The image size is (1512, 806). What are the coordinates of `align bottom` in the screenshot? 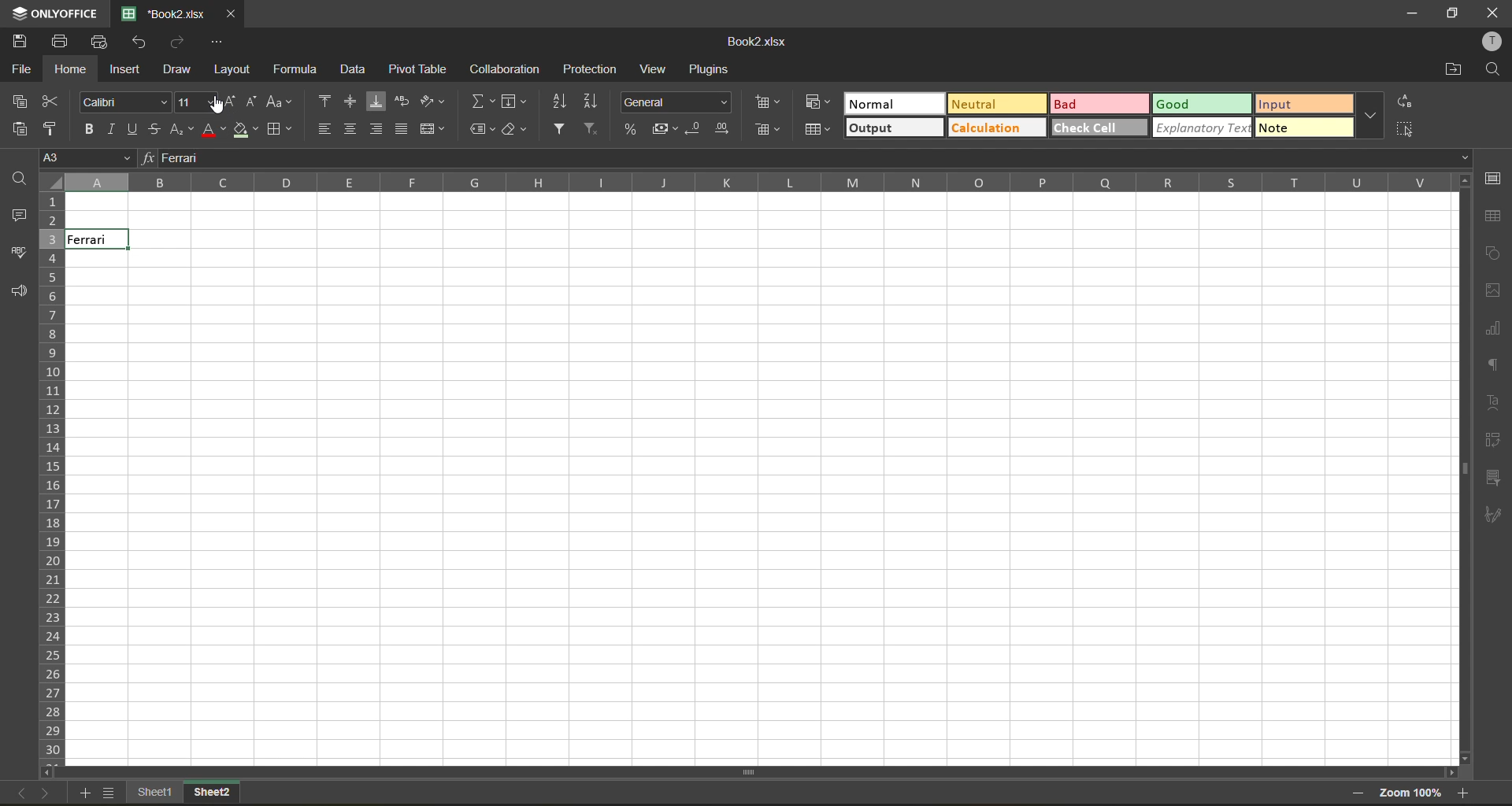 It's located at (379, 100).